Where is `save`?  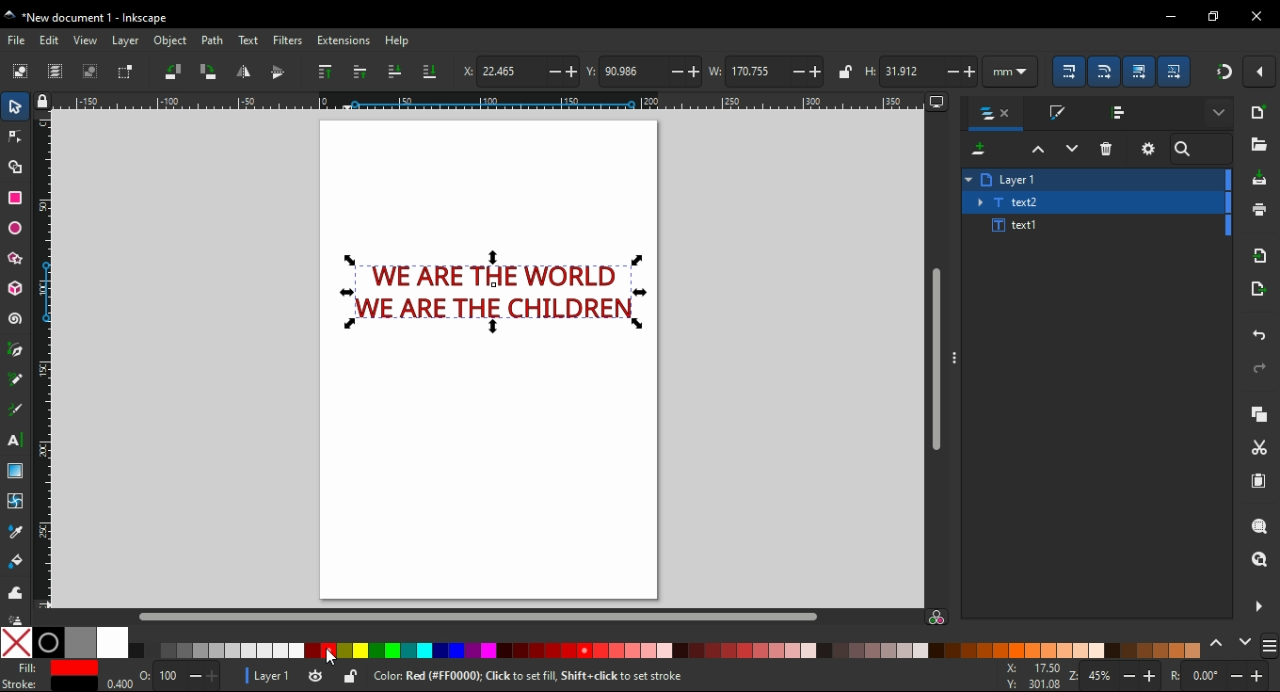 save is located at coordinates (1259, 180).